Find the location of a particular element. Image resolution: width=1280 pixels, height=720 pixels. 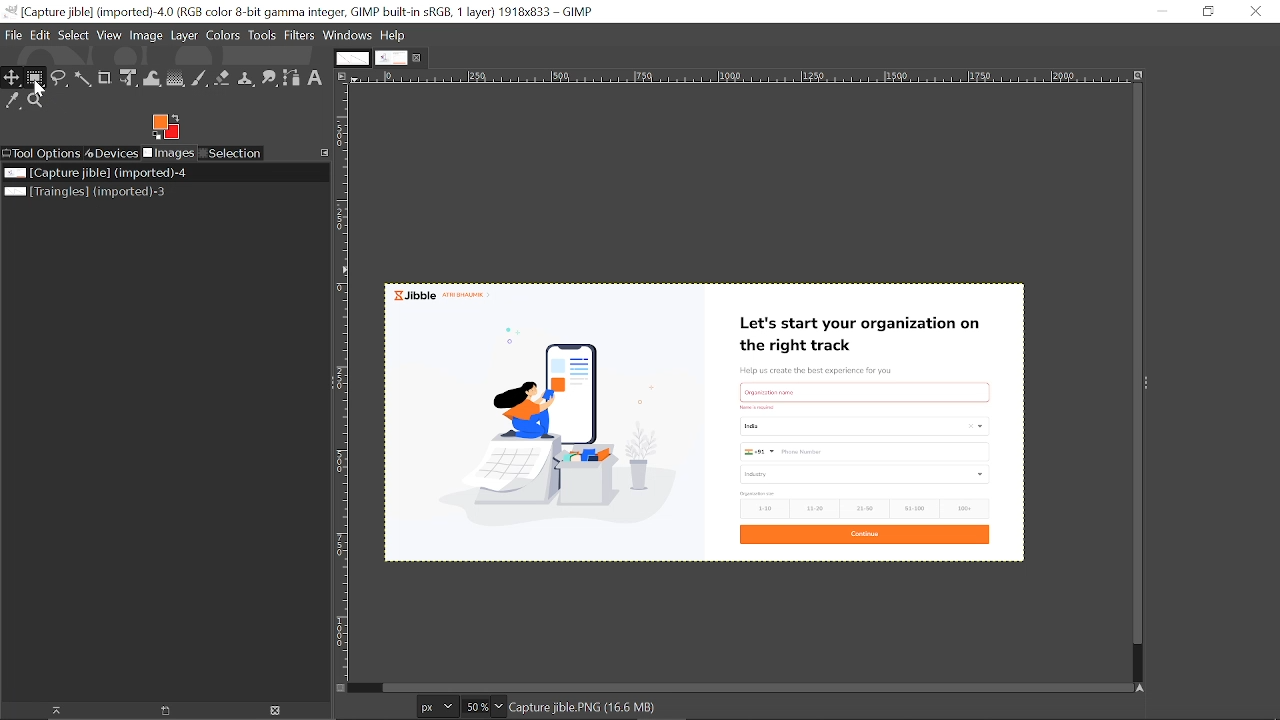

Current window is located at coordinates (303, 11).